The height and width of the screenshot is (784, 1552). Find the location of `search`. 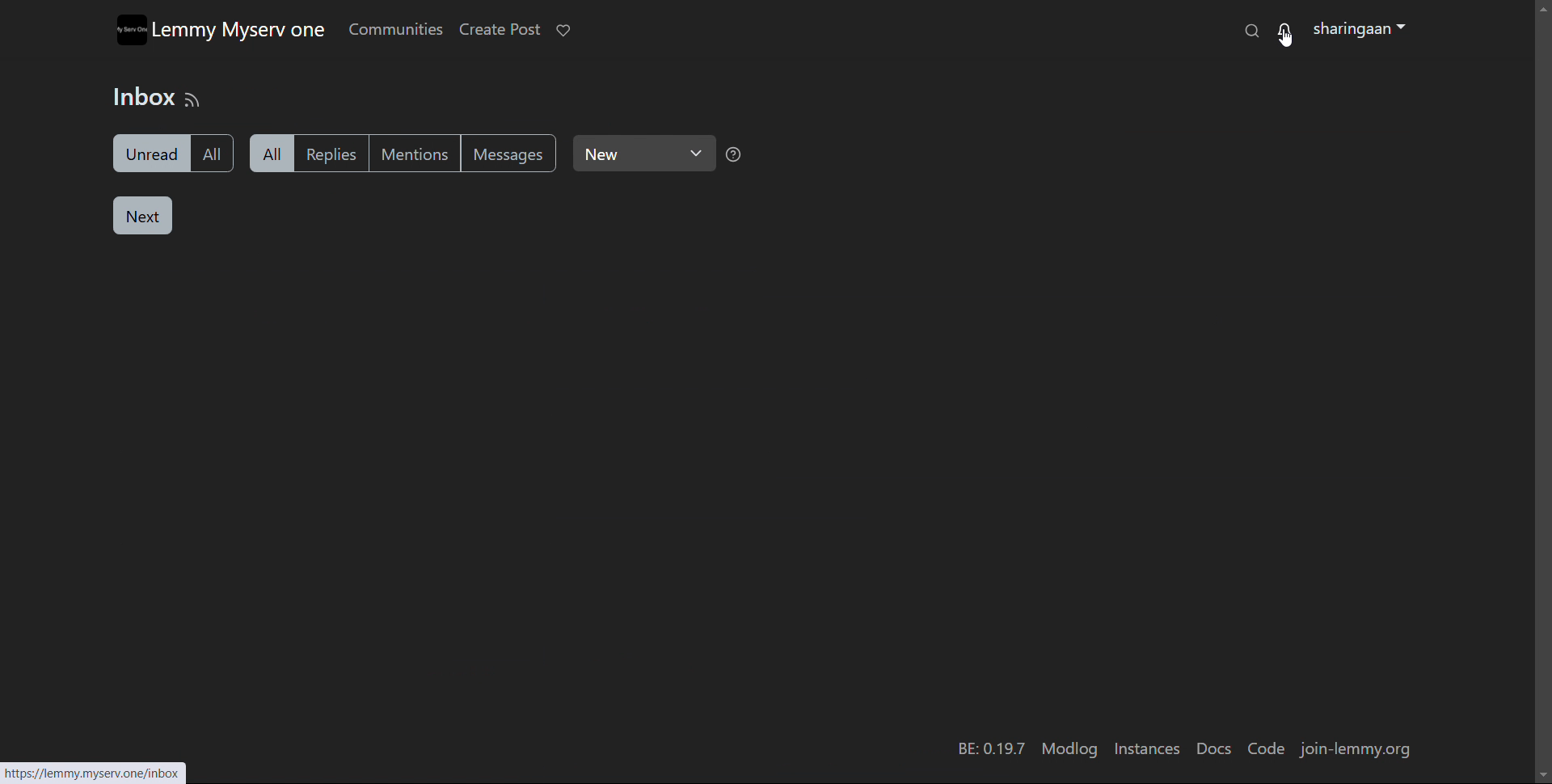

search is located at coordinates (1251, 31).